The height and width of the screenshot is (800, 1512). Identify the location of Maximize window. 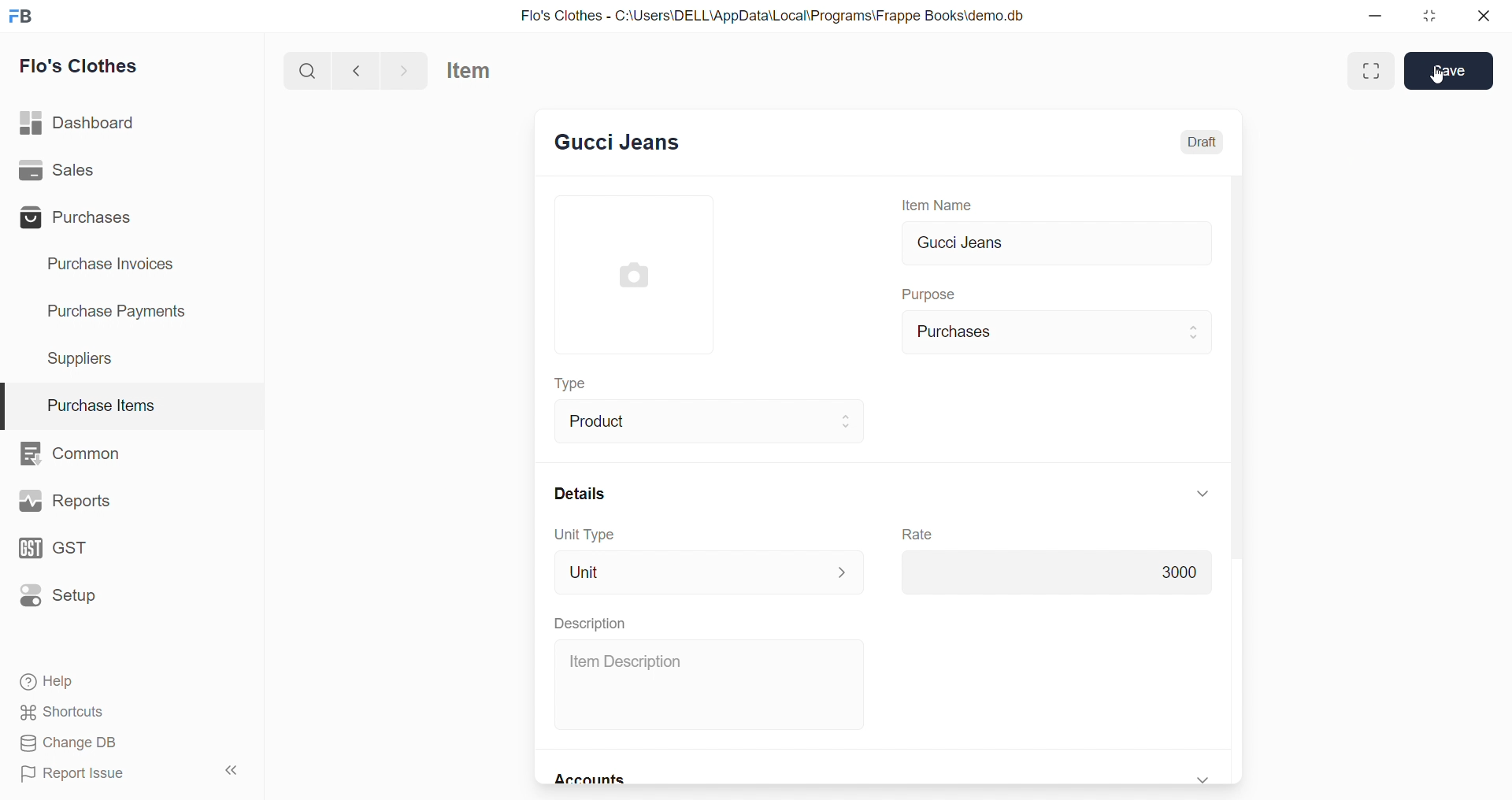
(1373, 71).